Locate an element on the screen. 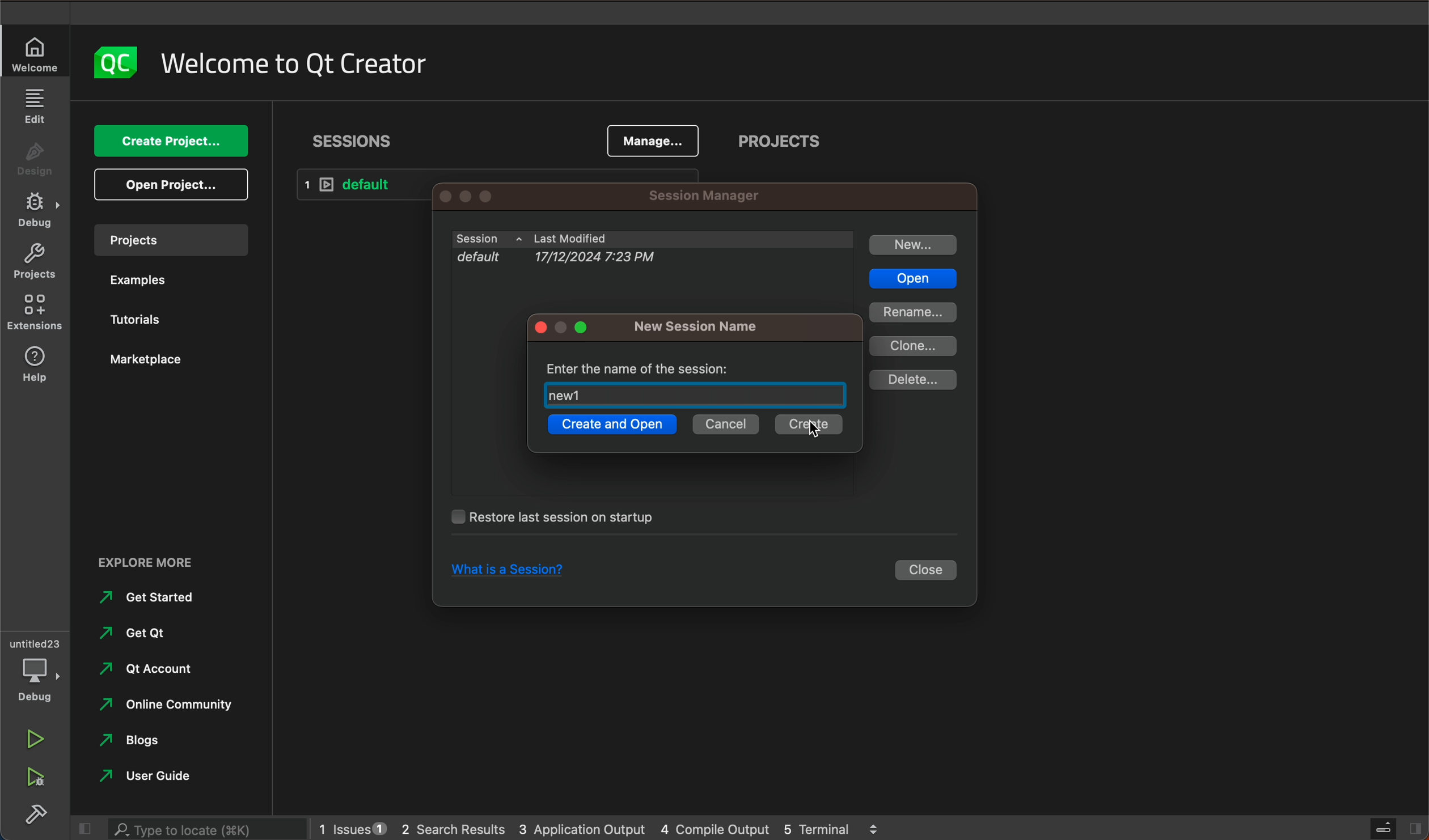 The image size is (1429, 840). search results is located at coordinates (453, 828).